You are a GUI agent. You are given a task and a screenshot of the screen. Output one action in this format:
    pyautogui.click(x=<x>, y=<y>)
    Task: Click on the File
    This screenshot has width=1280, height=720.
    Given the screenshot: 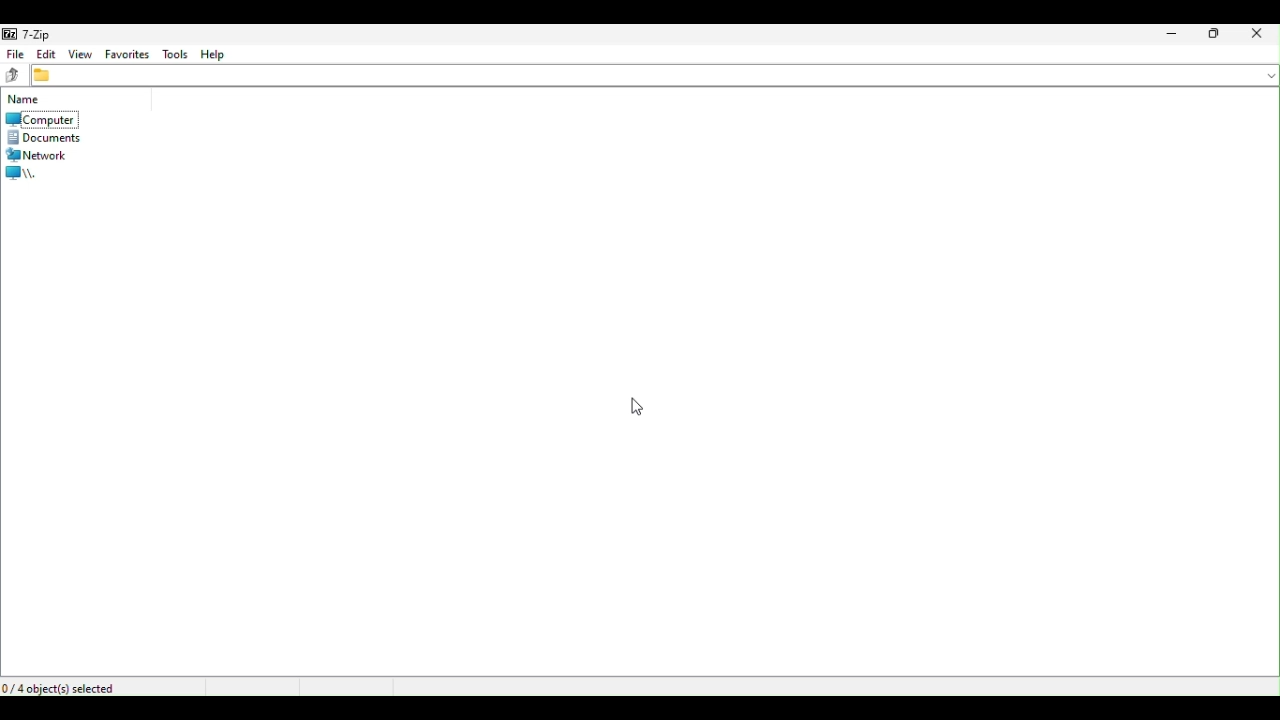 What is the action you would take?
    pyautogui.click(x=13, y=54)
    